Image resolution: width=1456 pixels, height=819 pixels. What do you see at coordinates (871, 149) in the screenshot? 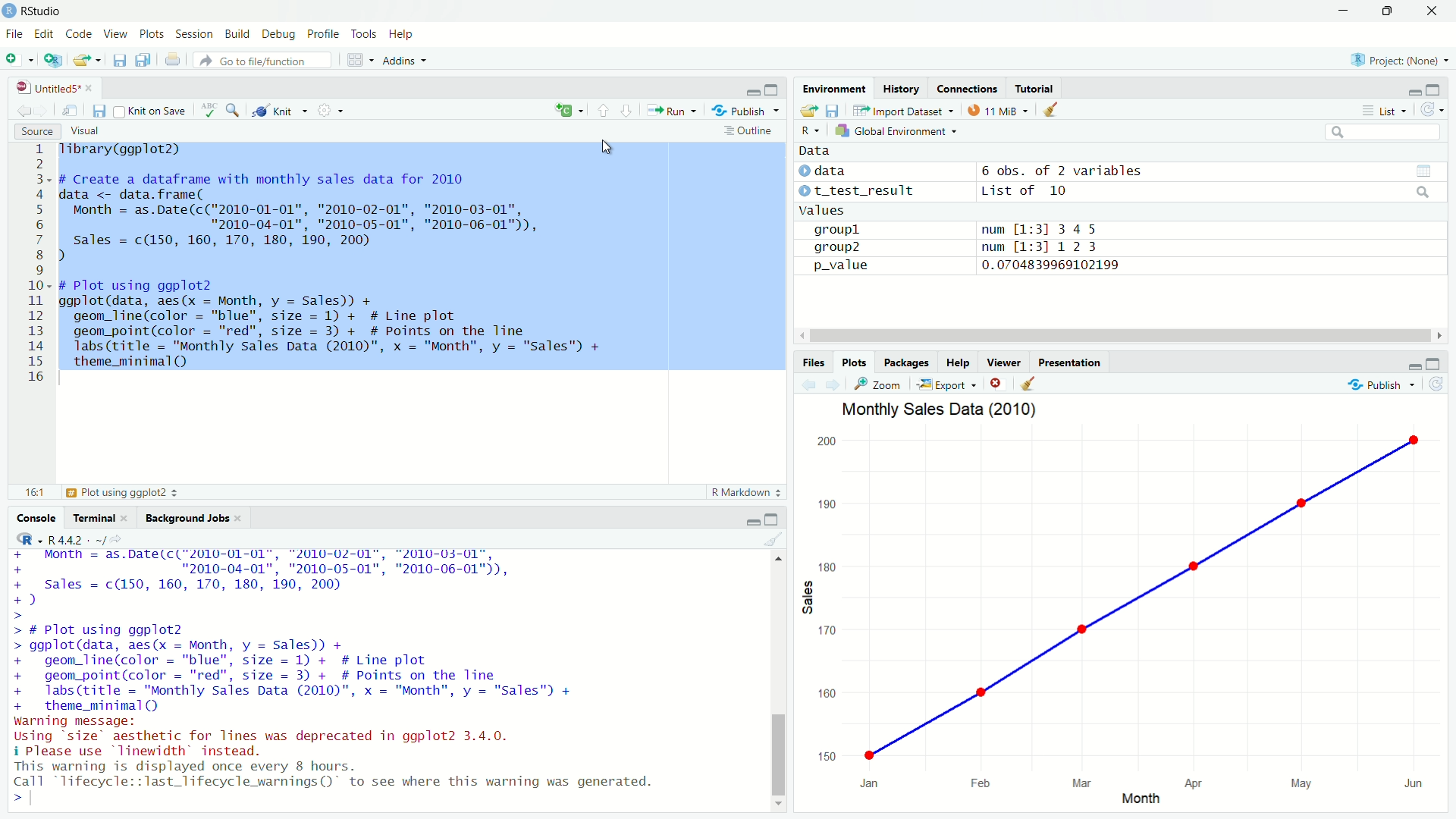
I see `Data` at bounding box center [871, 149].